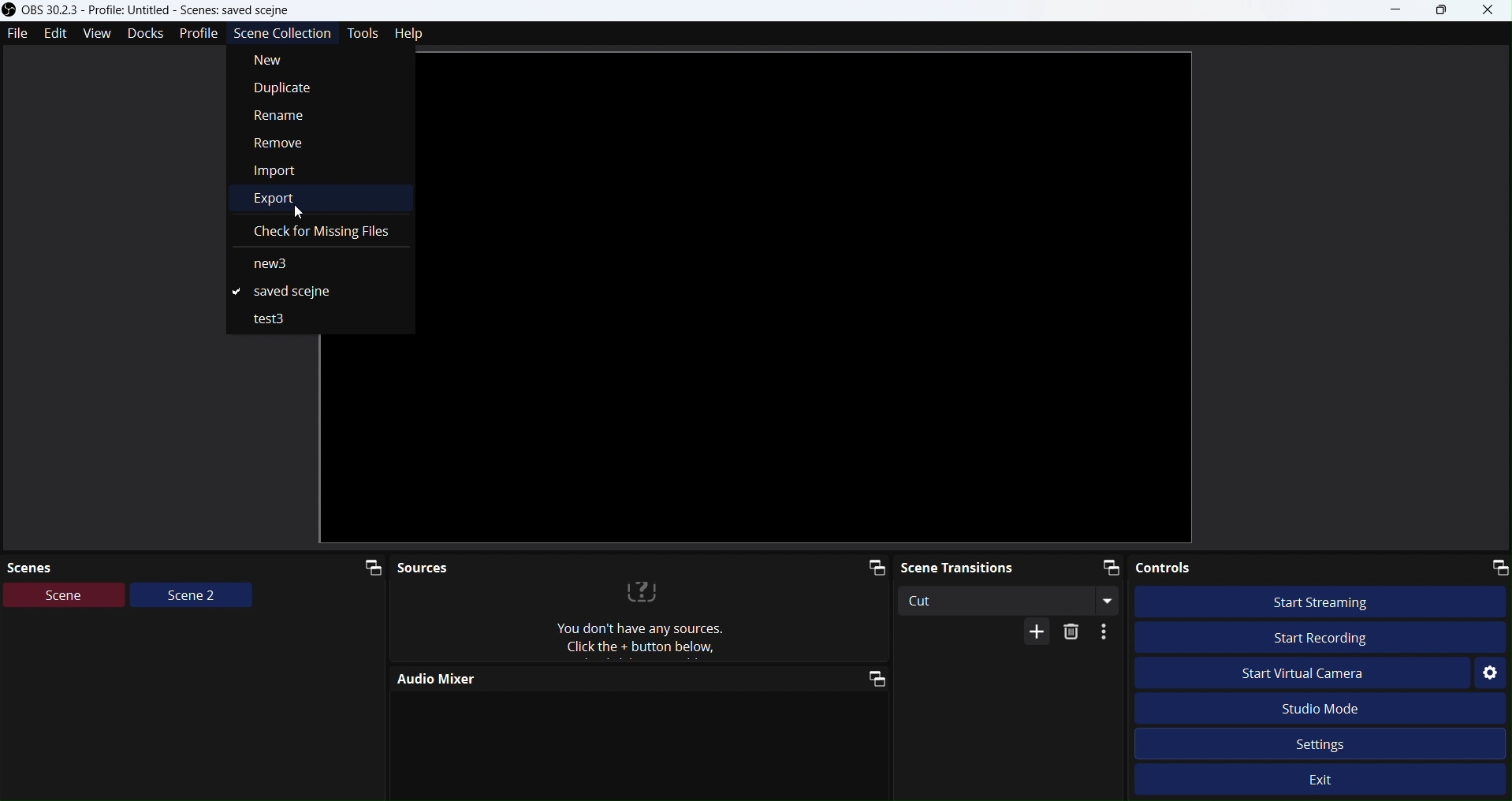  Describe the element at coordinates (195, 567) in the screenshot. I see `Scenes` at that location.